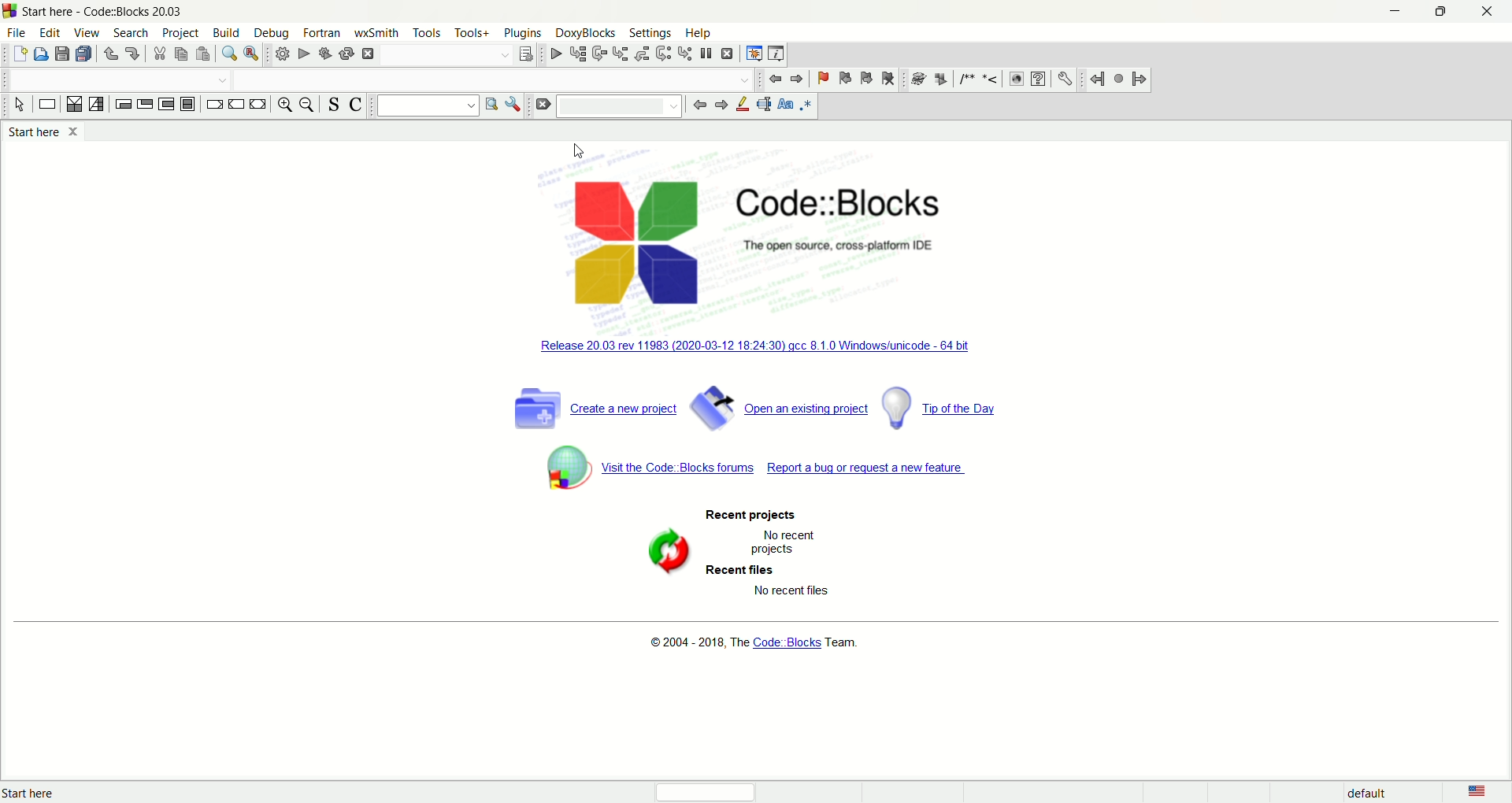  I want to click on regex, so click(811, 105).